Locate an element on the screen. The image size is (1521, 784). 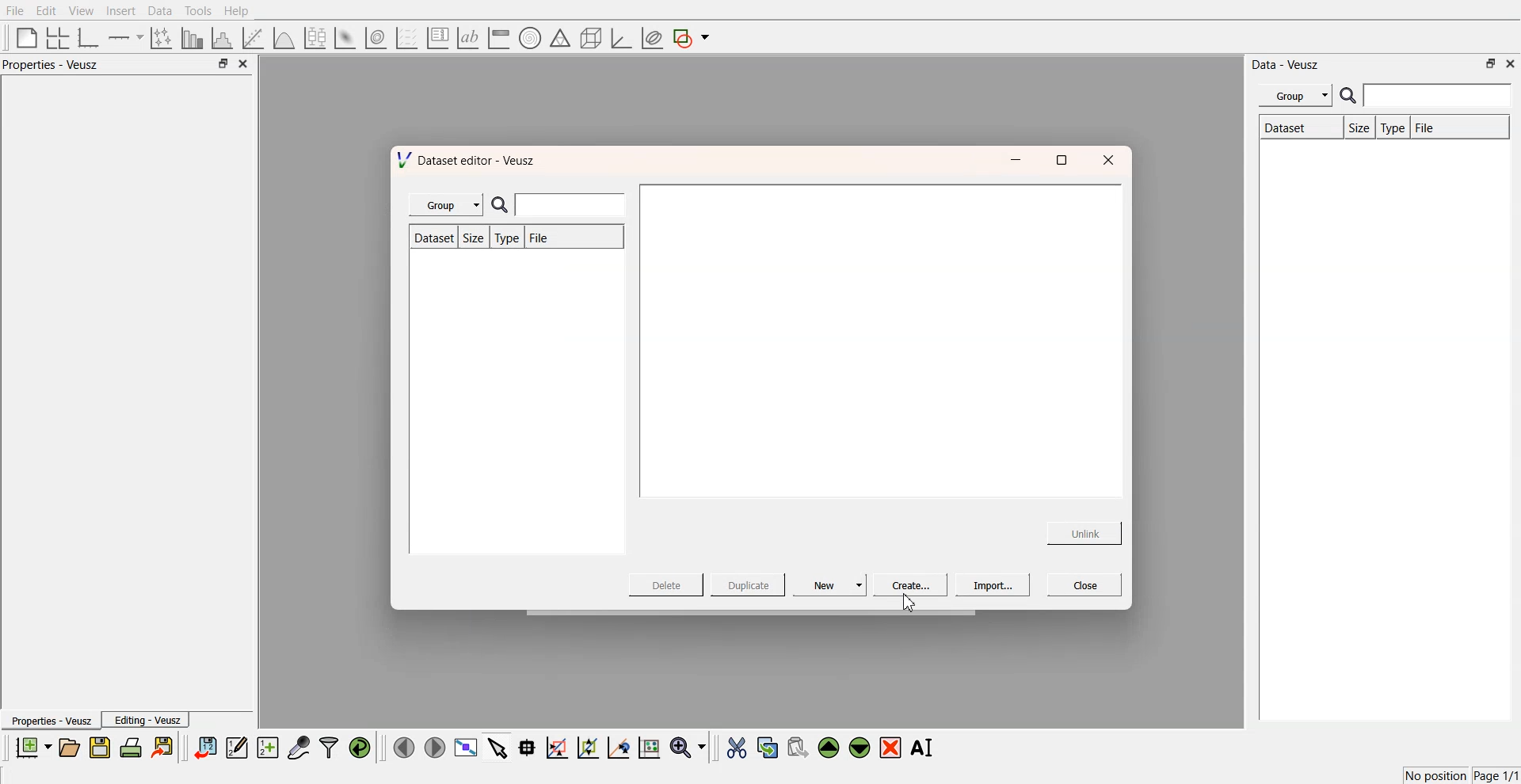
zoom funtions is located at coordinates (688, 748).